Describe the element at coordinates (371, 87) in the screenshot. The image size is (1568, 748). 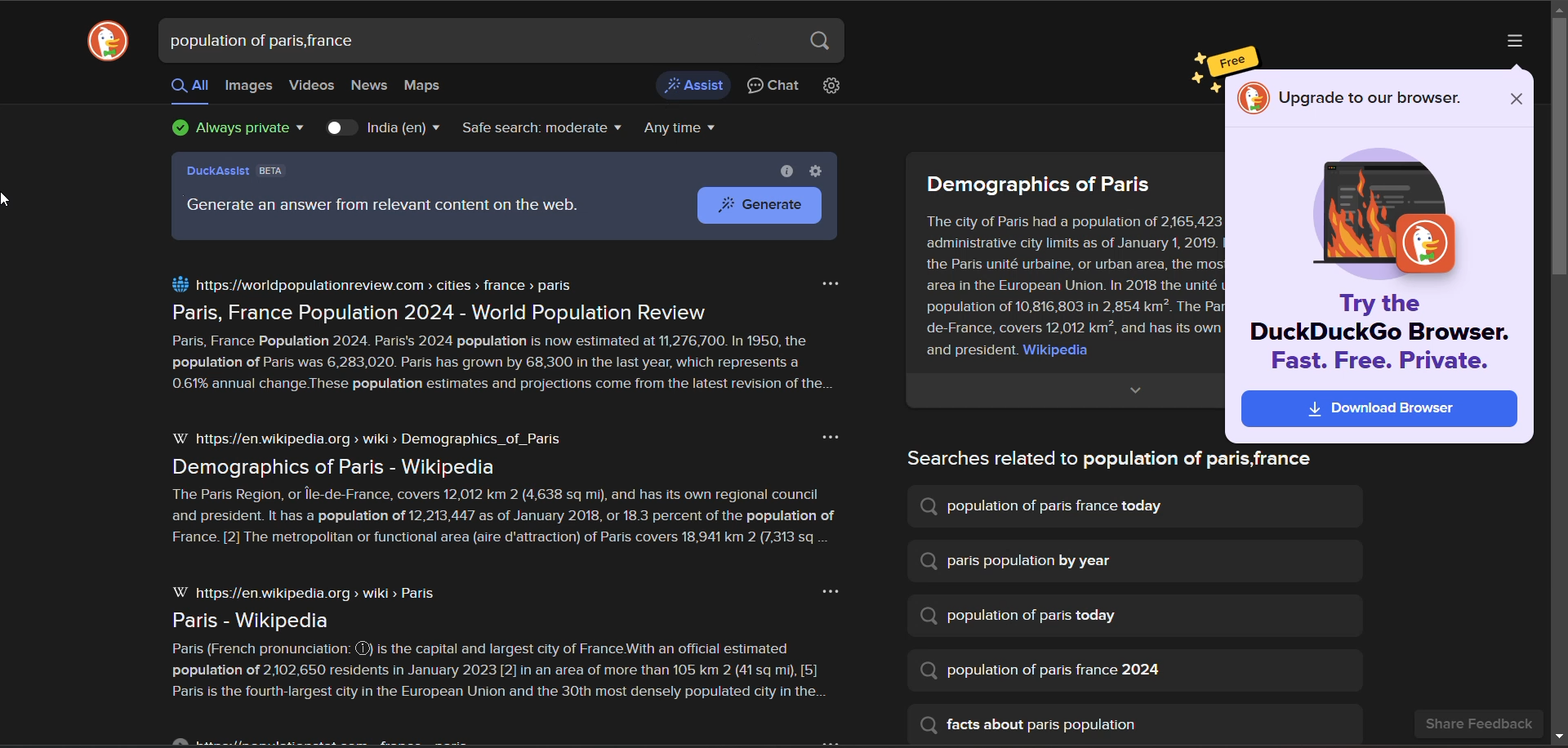
I see `news` at that location.